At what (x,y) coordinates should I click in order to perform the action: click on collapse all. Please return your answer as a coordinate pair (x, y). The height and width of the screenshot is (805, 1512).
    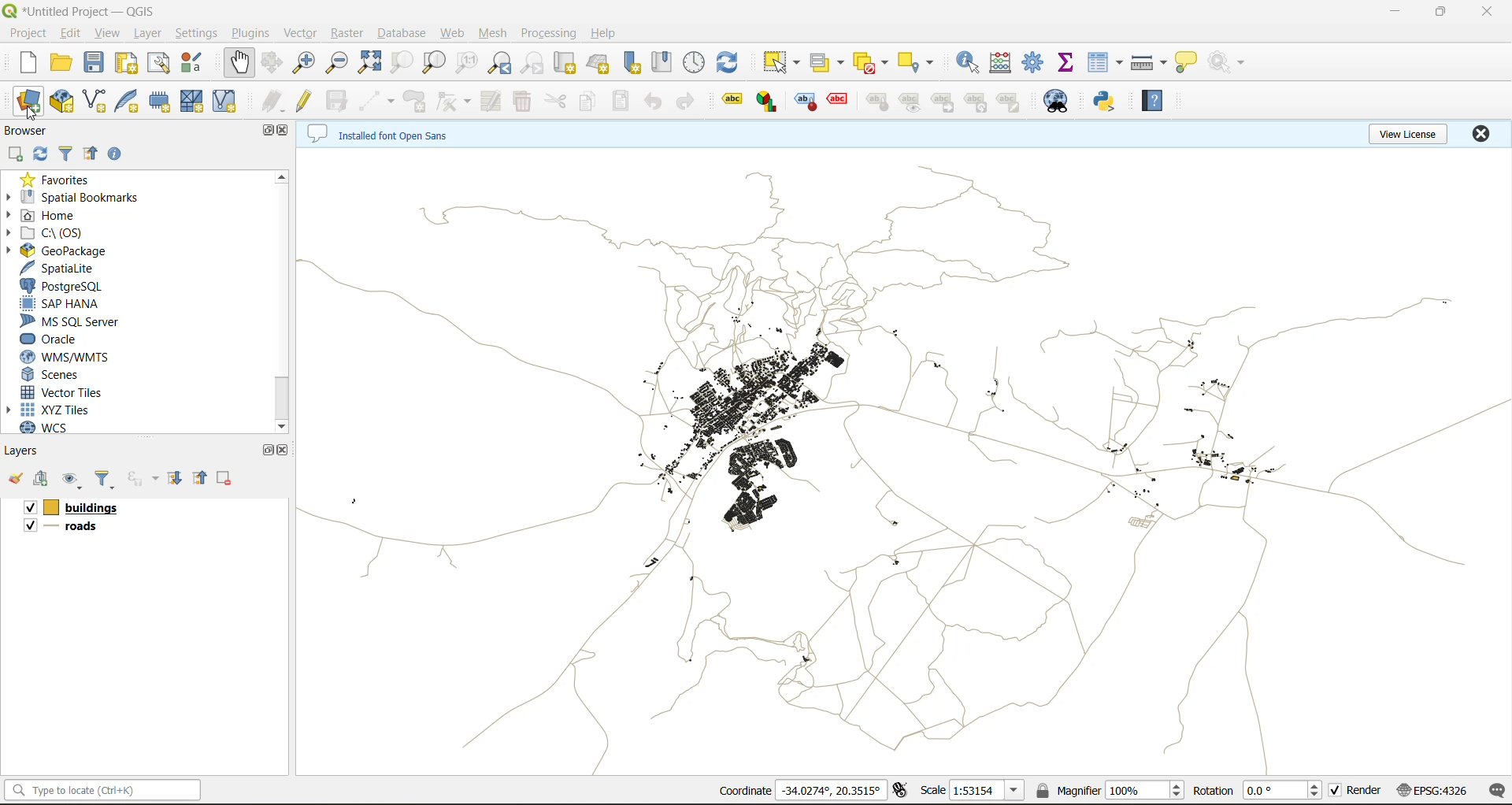
    Looking at the image, I should click on (91, 157).